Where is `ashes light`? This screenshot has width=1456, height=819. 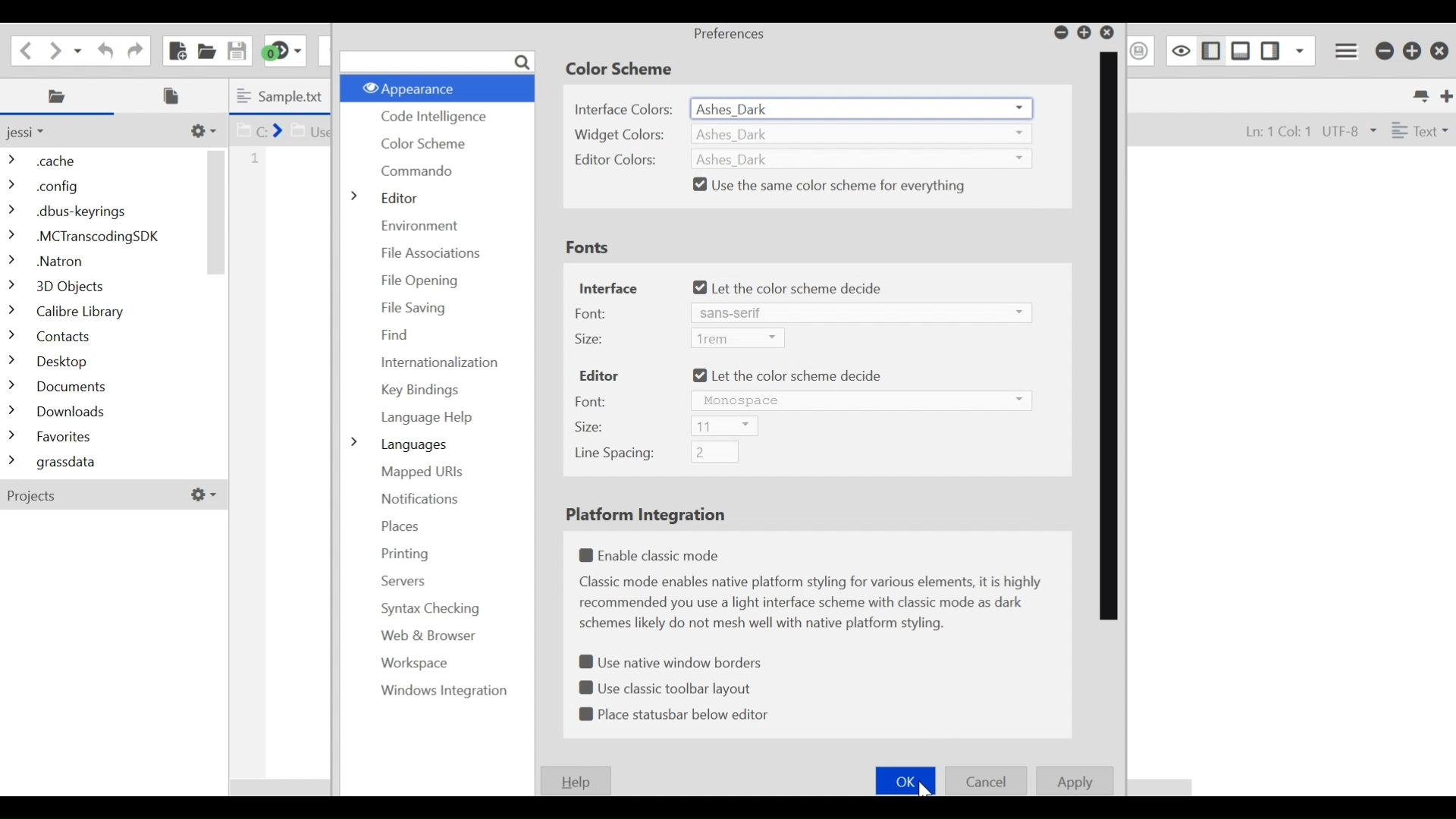
ashes light is located at coordinates (863, 306).